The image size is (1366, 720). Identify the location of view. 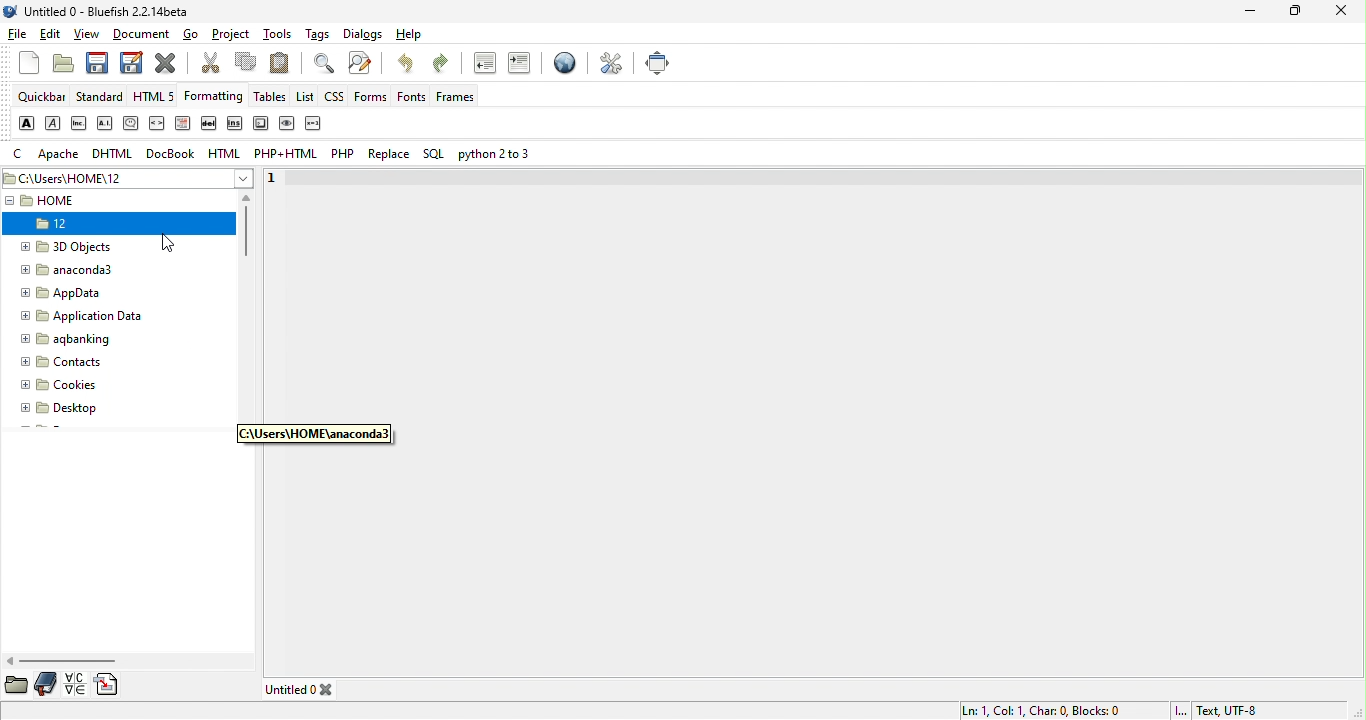
(89, 35).